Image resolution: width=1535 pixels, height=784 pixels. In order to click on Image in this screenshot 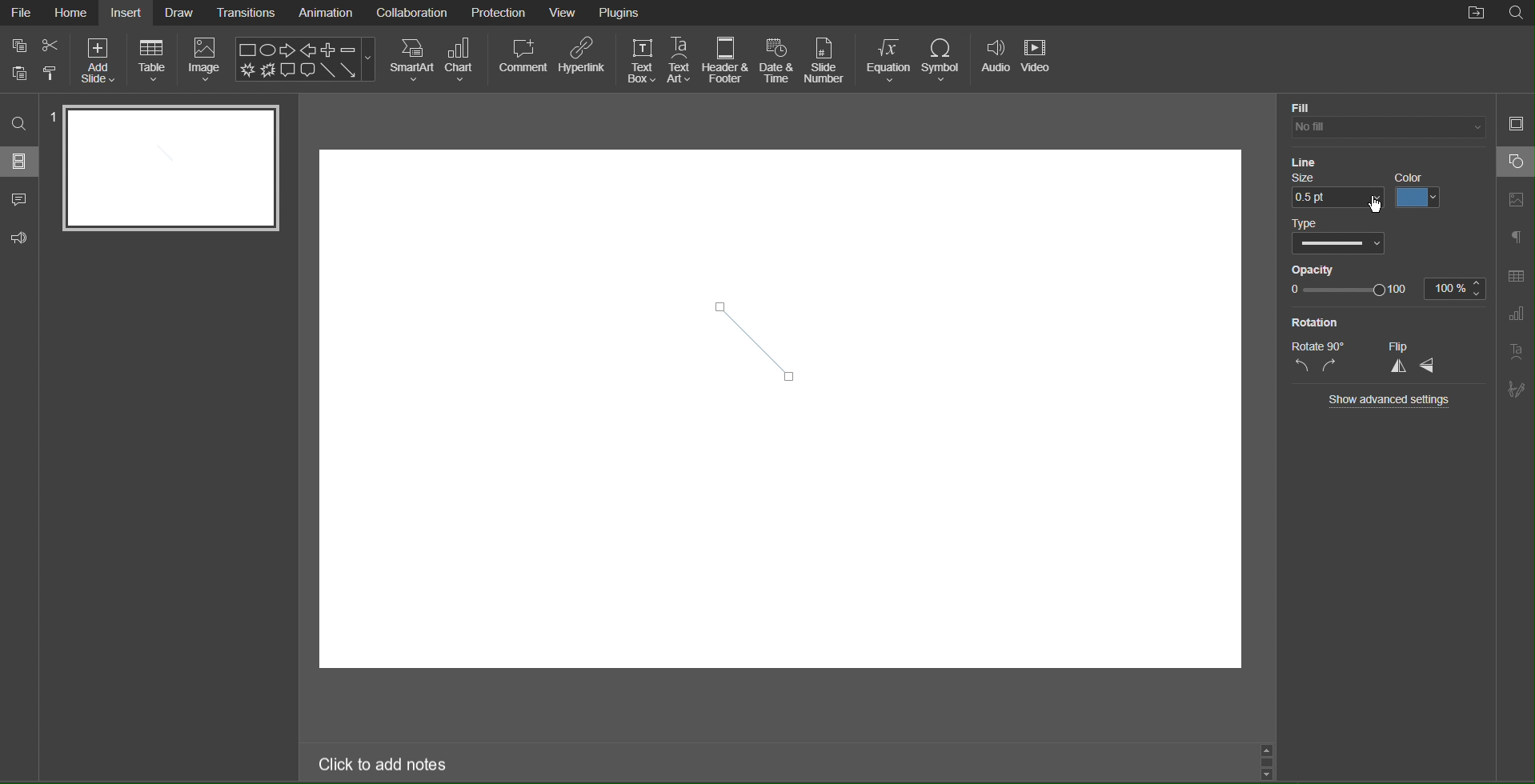, I will do `click(206, 62)`.